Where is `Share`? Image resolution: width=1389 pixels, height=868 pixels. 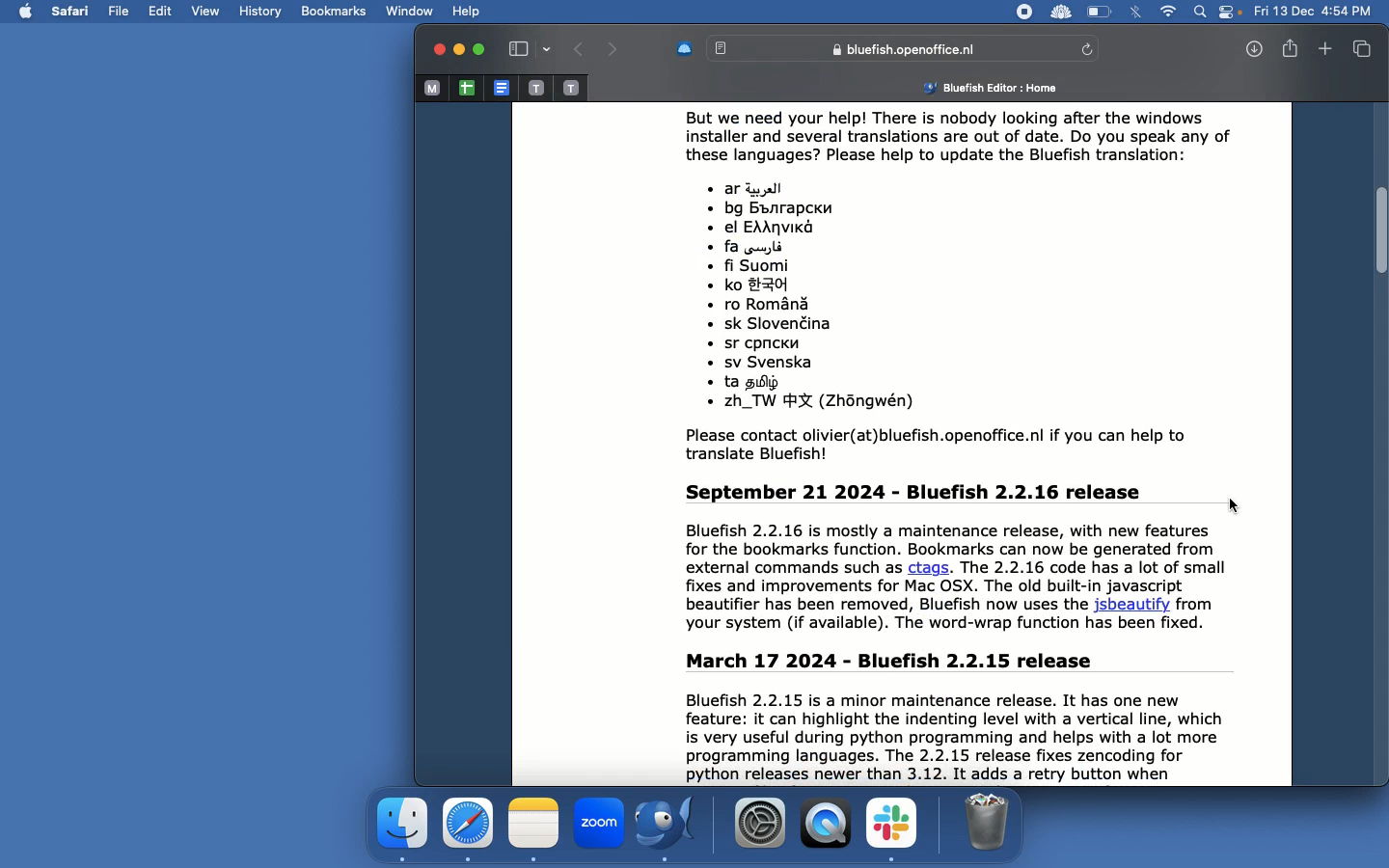
Share is located at coordinates (1290, 48).